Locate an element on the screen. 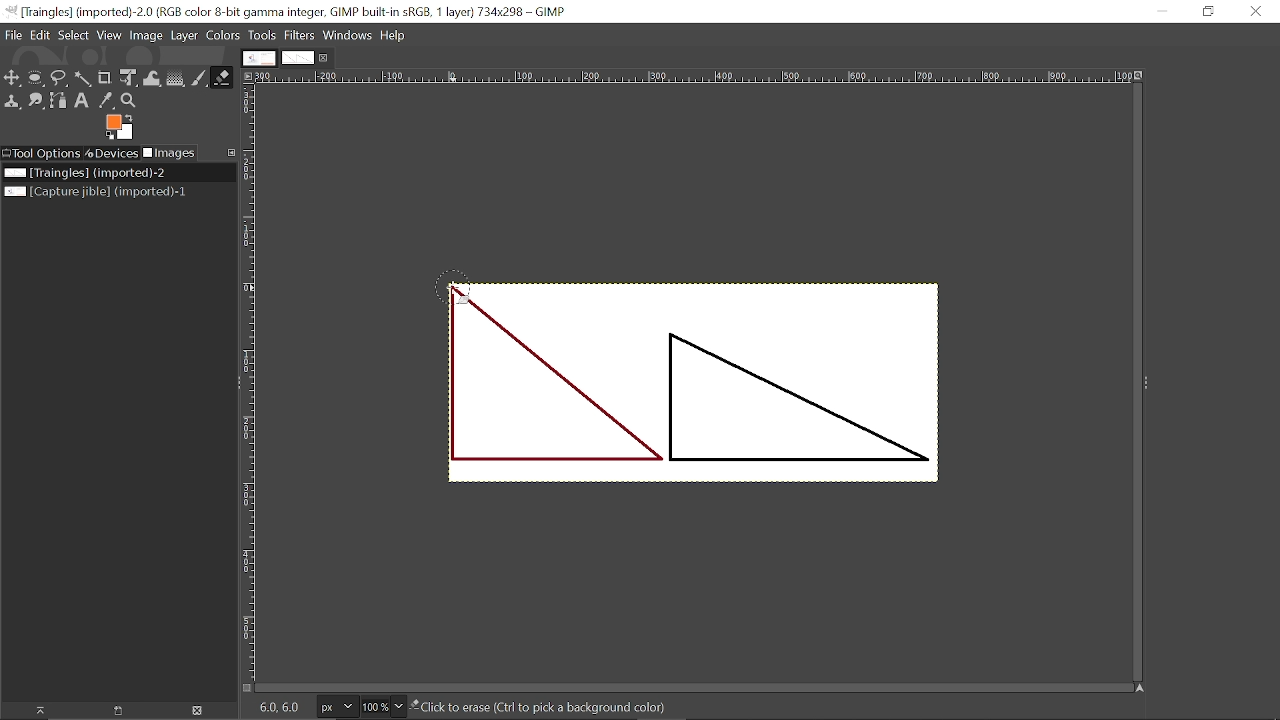 This screenshot has width=1280, height=720. Filters is located at coordinates (300, 36).